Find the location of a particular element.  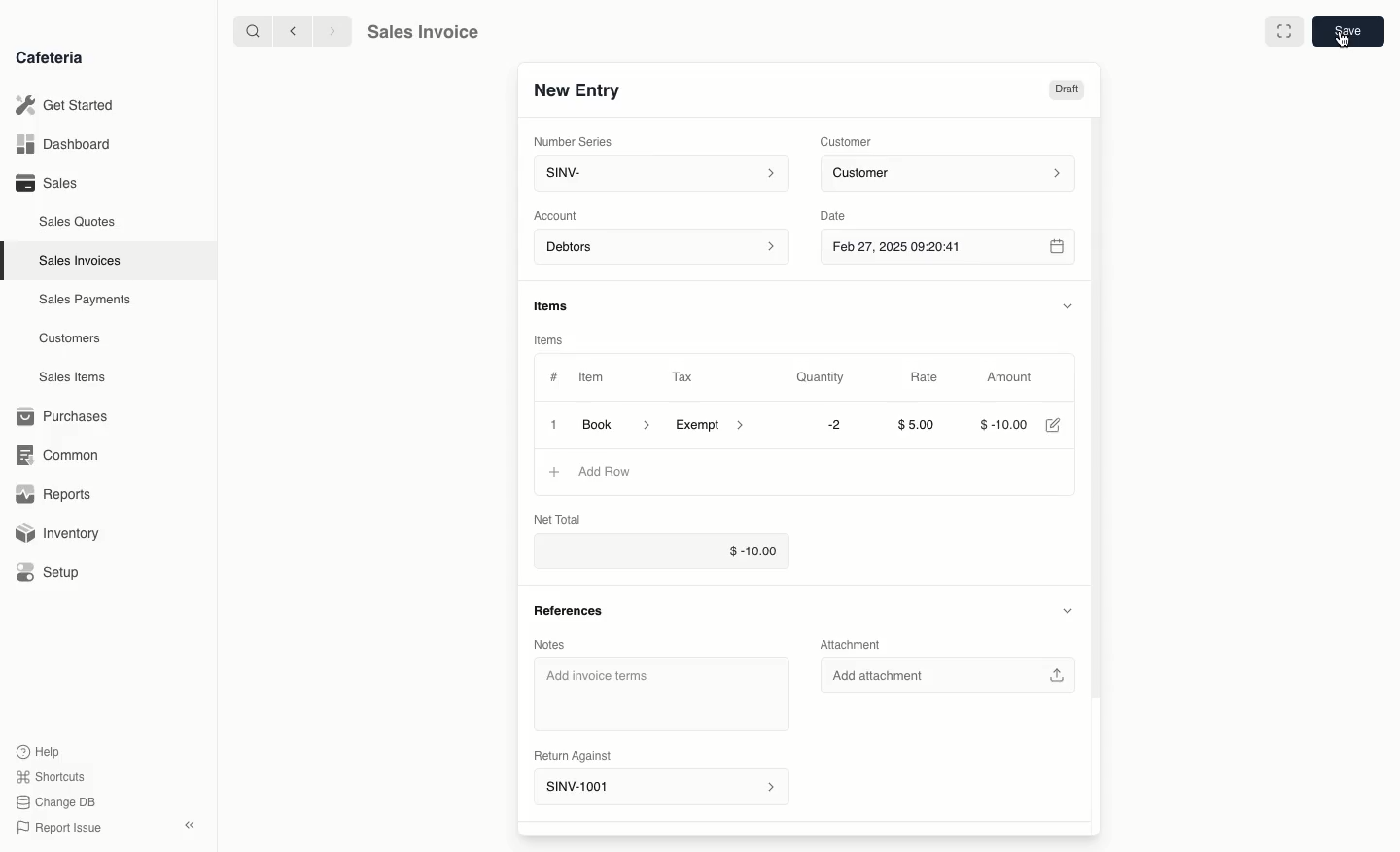

Add attachment is located at coordinates (946, 678).